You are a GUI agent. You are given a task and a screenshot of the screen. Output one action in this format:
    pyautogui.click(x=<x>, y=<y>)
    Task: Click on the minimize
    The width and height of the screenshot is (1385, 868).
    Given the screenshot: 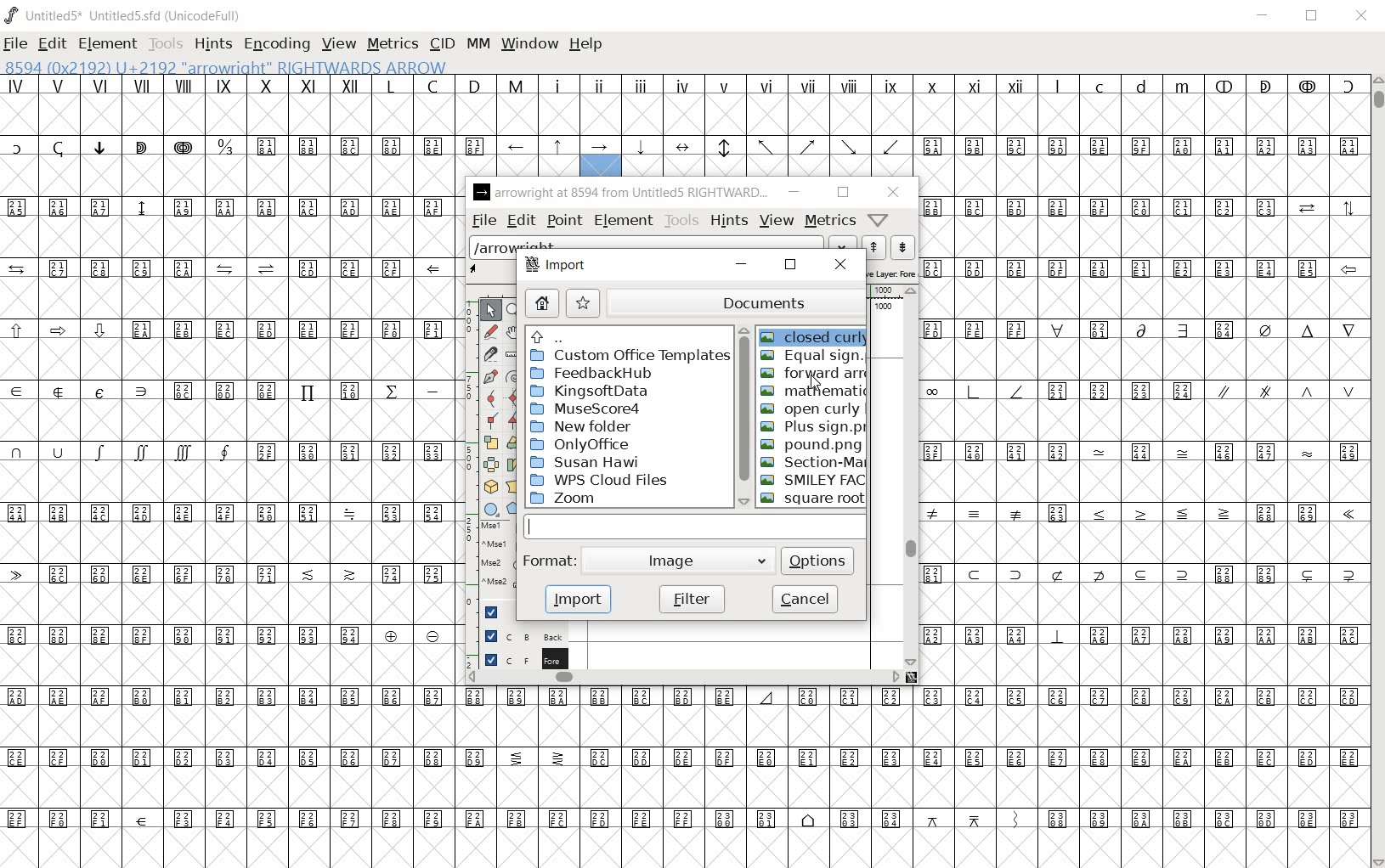 What is the action you would take?
    pyautogui.click(x=794, y=192)
    